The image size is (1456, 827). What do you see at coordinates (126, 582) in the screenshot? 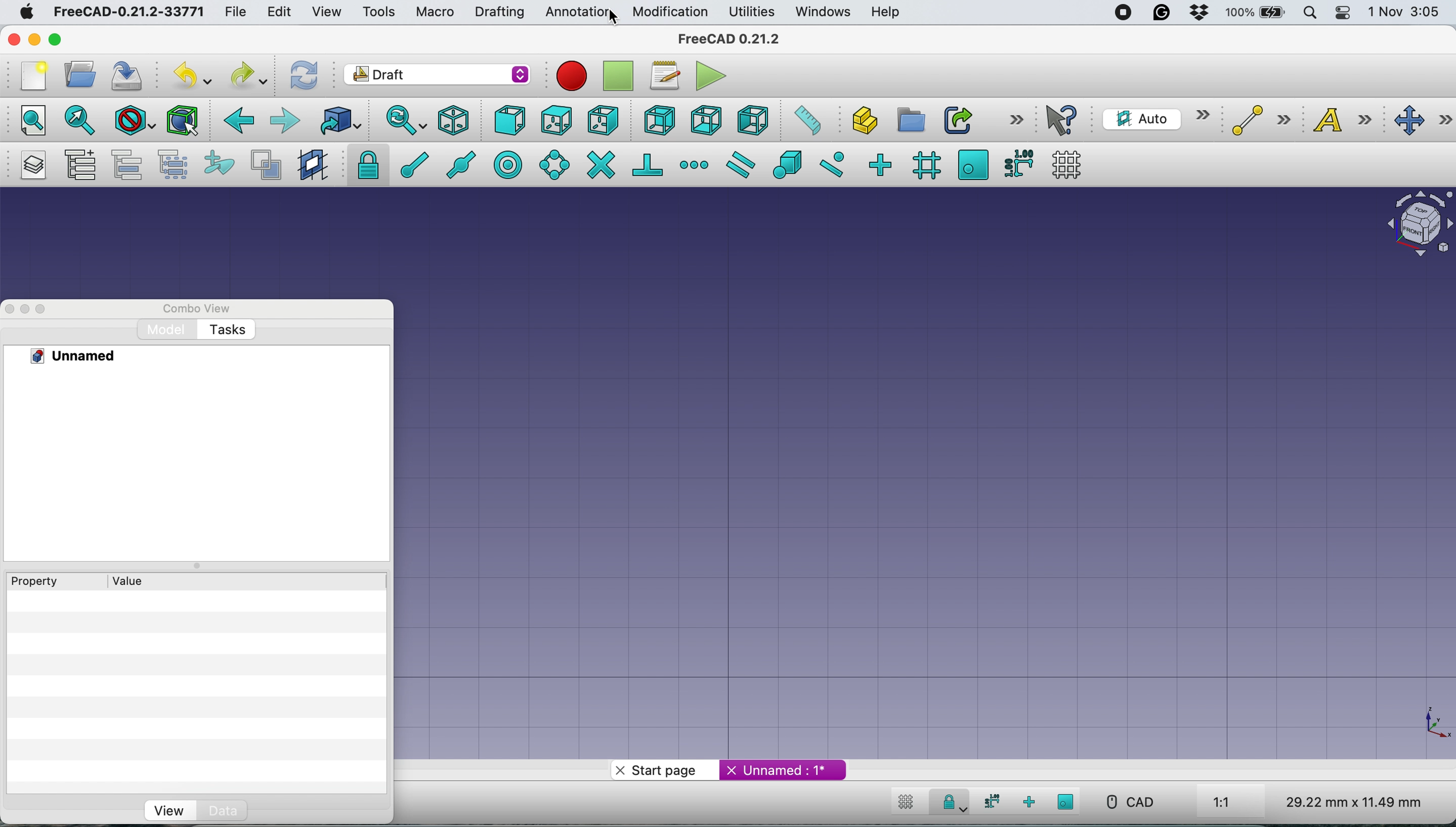
I see `value` at bounding box center [126, 582].